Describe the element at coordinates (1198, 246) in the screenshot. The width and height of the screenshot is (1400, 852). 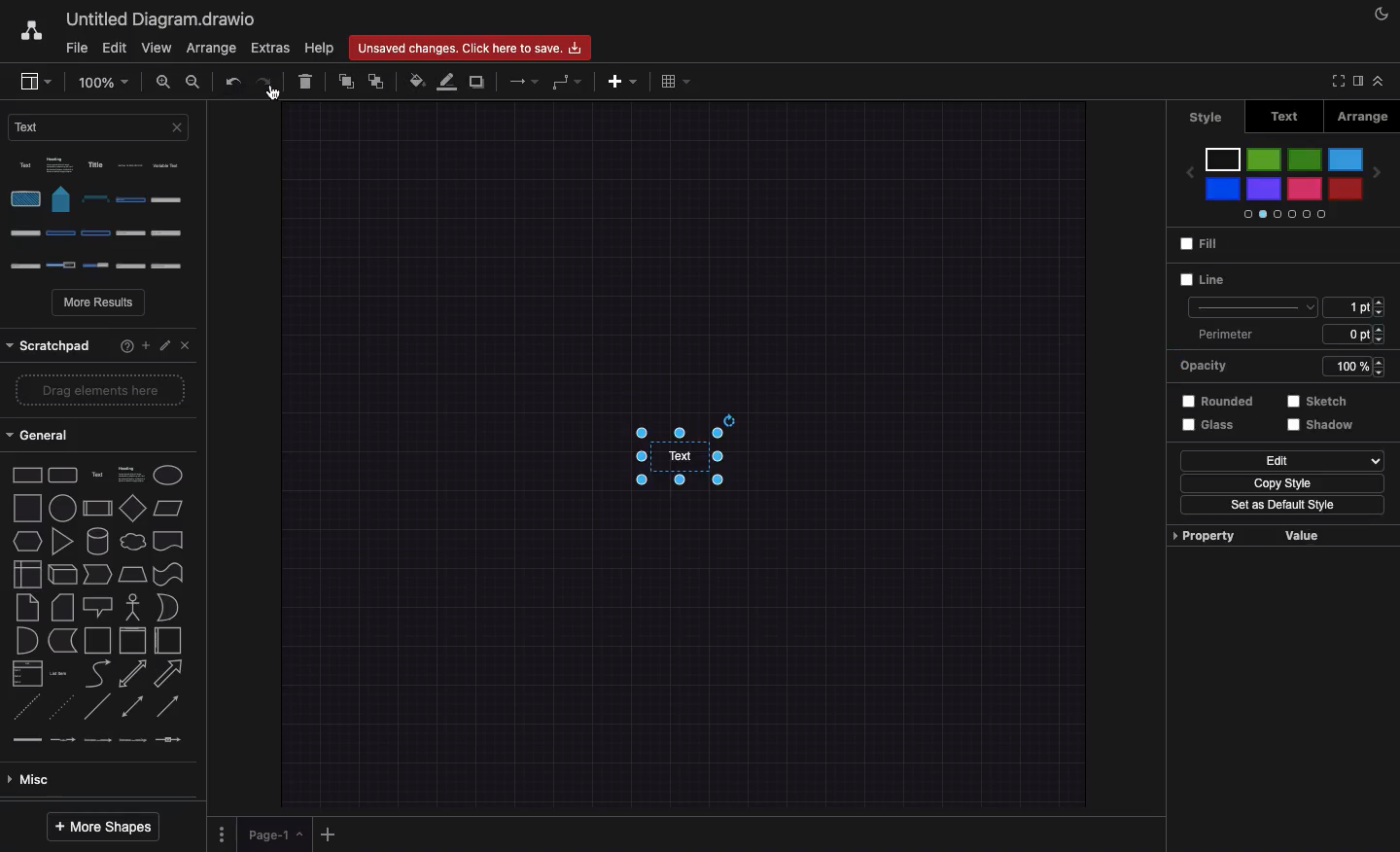
I see `Fill` at that location.